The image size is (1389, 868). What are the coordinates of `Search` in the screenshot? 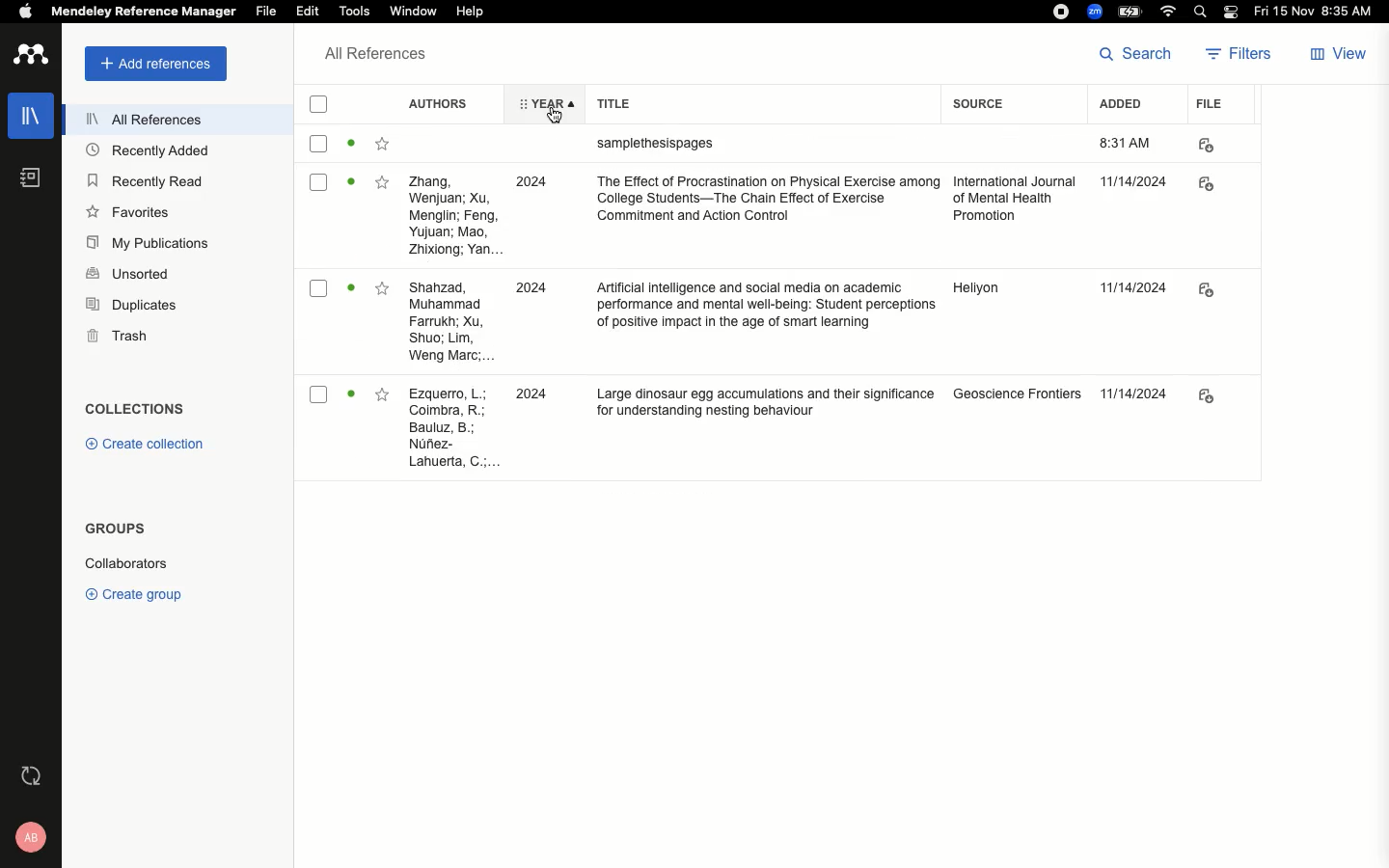 It's located at (1131, 56).